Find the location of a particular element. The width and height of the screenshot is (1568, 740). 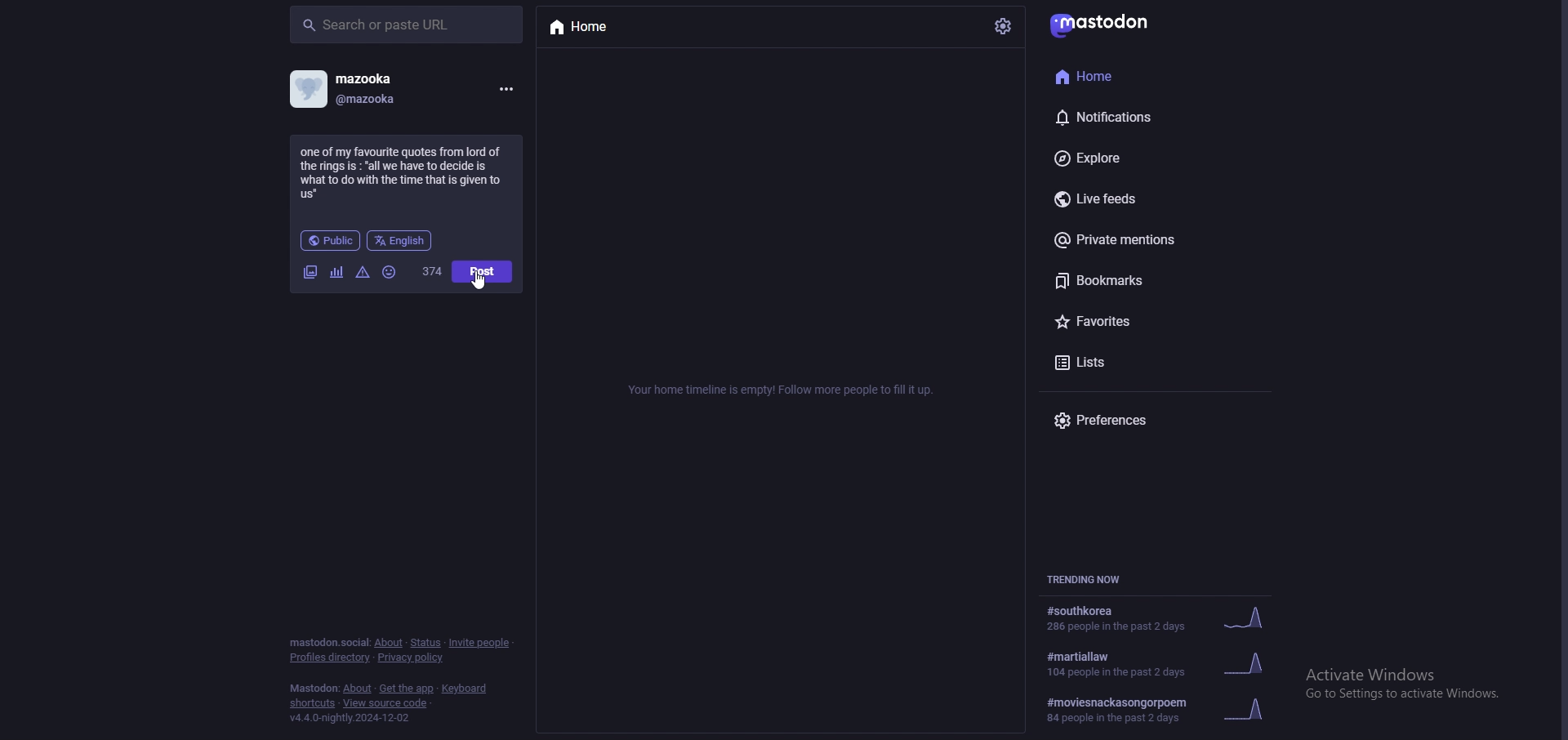

Application version is located at coordinates (359, 722).